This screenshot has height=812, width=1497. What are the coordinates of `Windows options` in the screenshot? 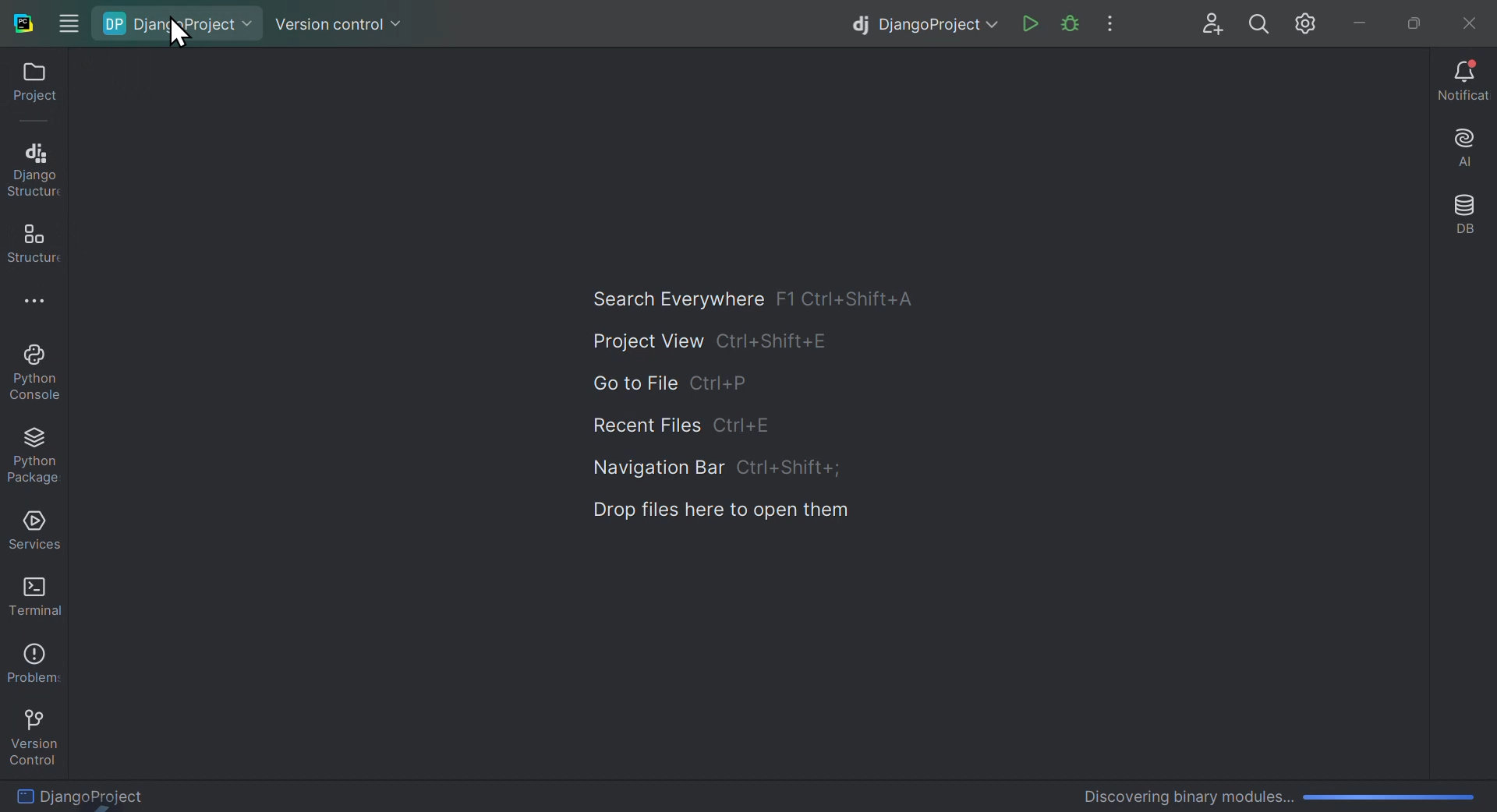 It's located at (67, 19).